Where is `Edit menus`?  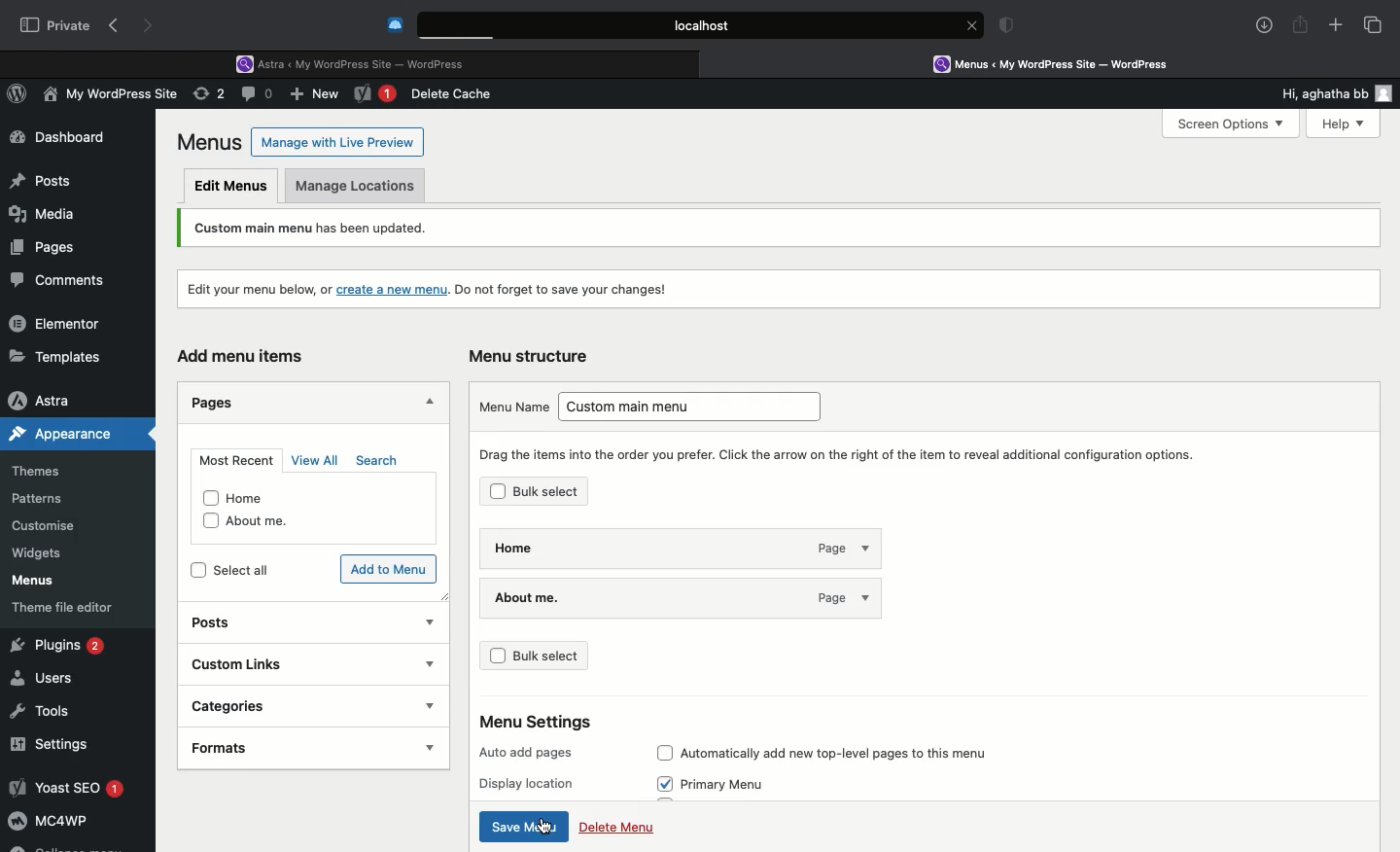 Edit menus is located at coordinates (232, 185).